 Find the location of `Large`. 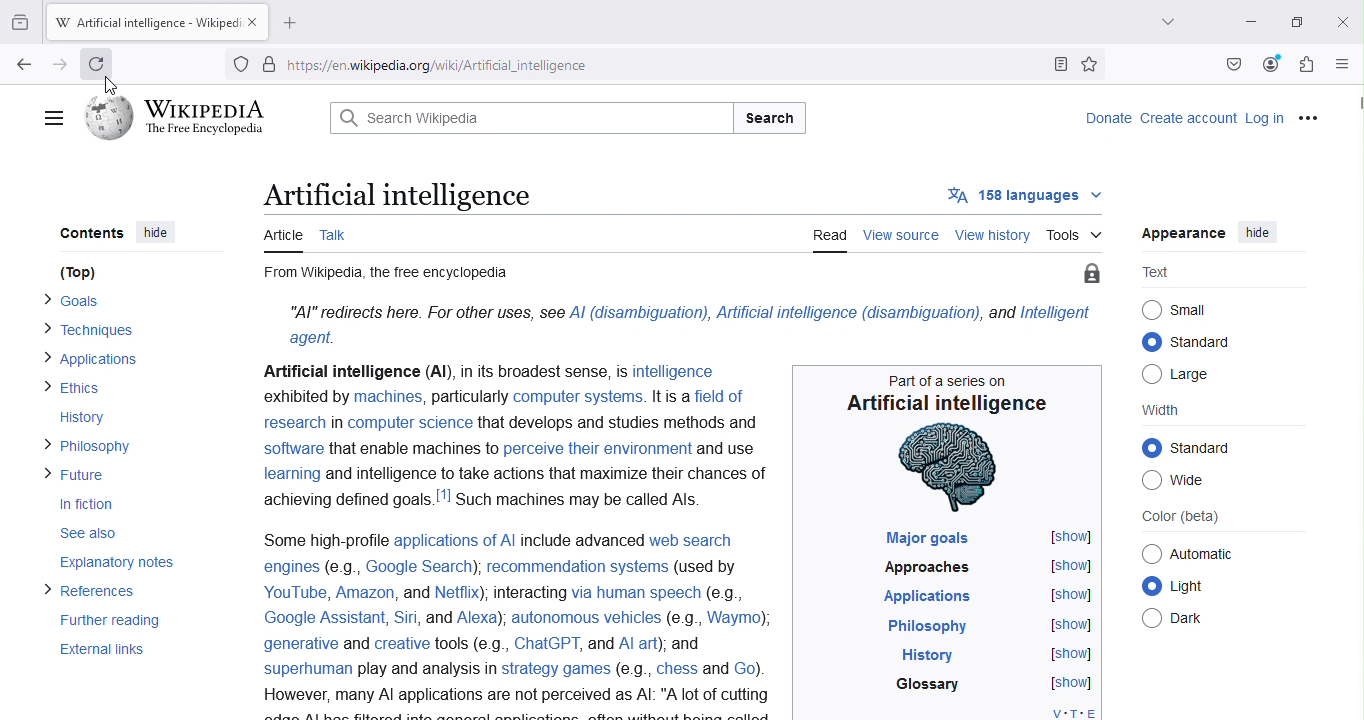

Large is located at coordinates (1178, 376).